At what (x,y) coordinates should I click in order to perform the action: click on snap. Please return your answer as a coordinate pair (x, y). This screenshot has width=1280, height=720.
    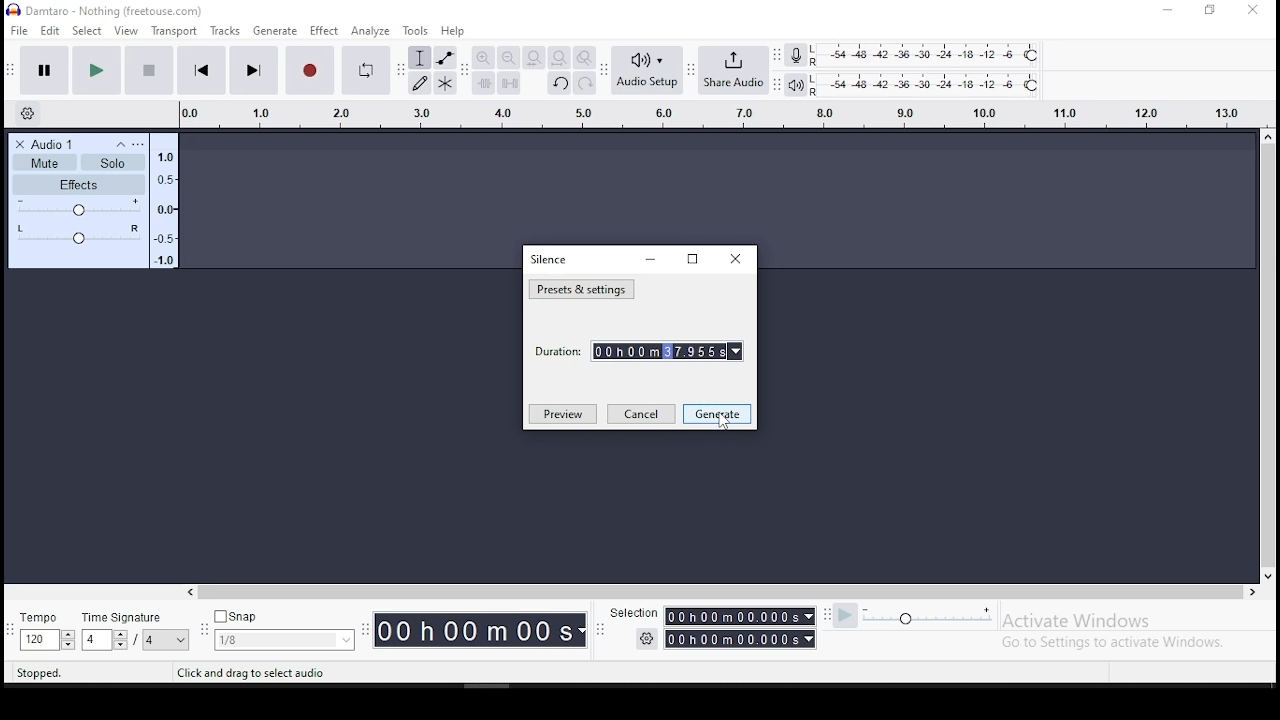
    Looking at the image, I should click on (284, 629).